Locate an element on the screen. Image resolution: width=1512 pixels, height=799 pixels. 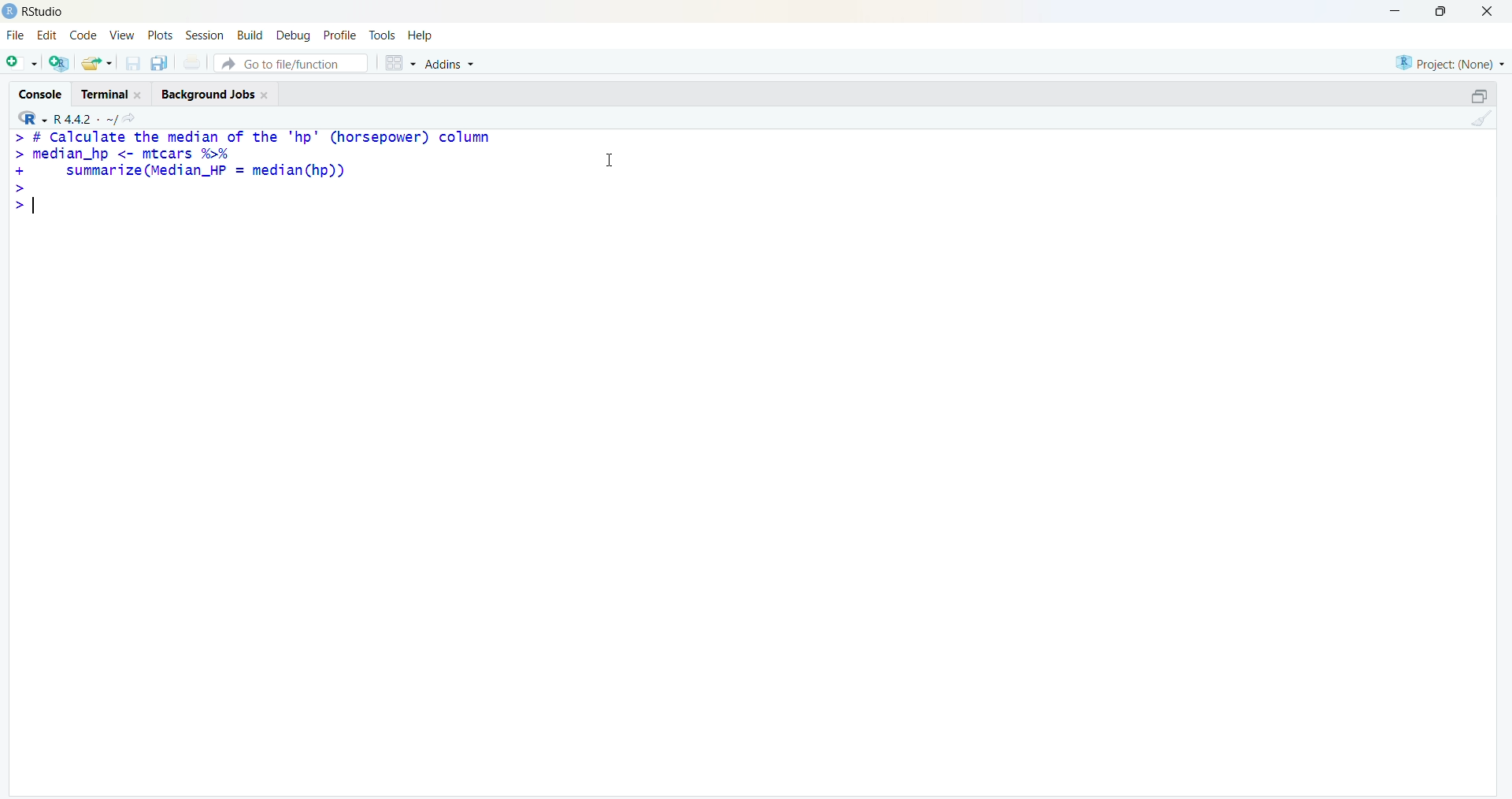
open file as is located at coordinates (23, 64).